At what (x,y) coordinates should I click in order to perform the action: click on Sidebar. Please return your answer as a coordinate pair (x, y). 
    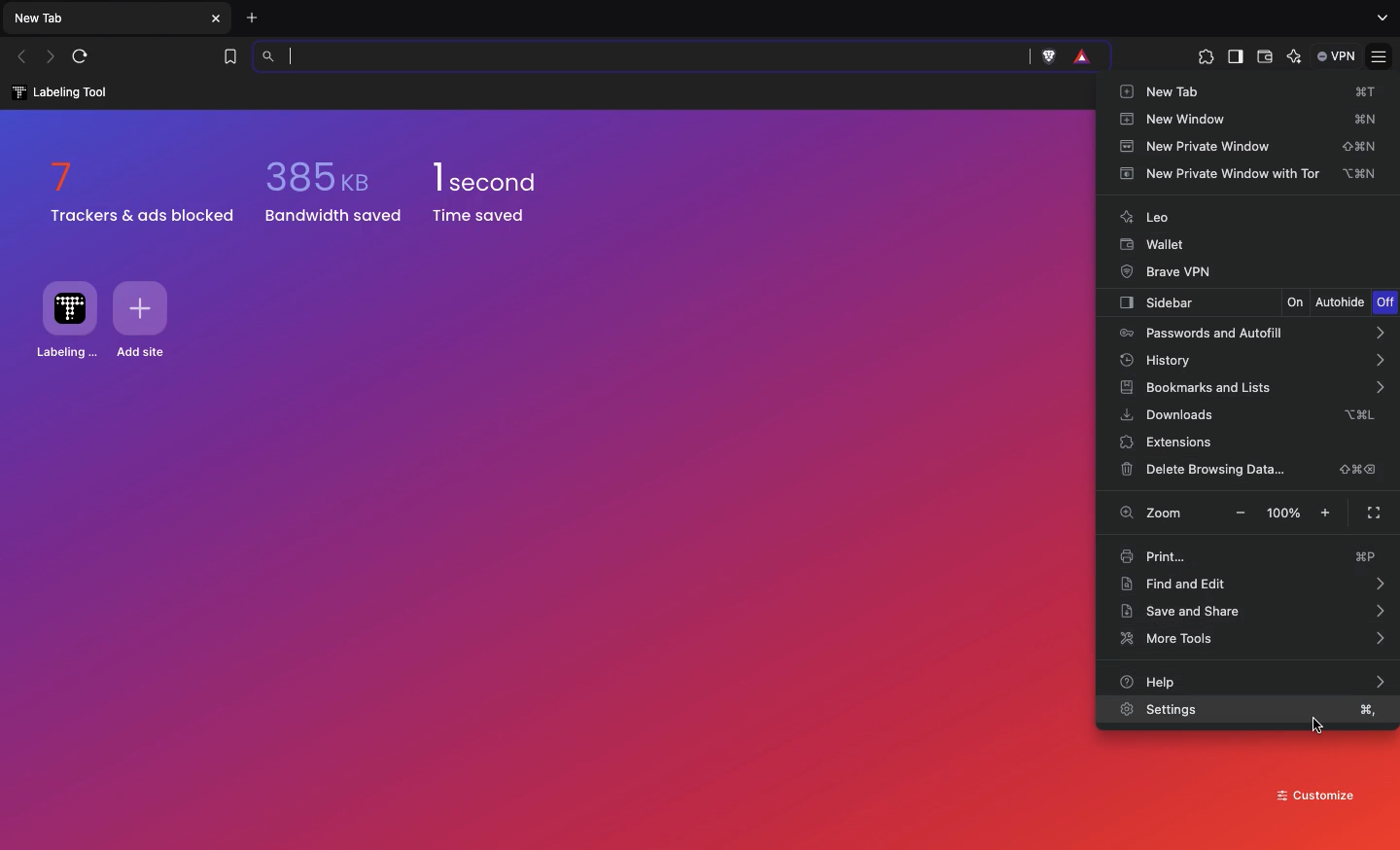
    Looking at the image, I should click on (1234, 58).